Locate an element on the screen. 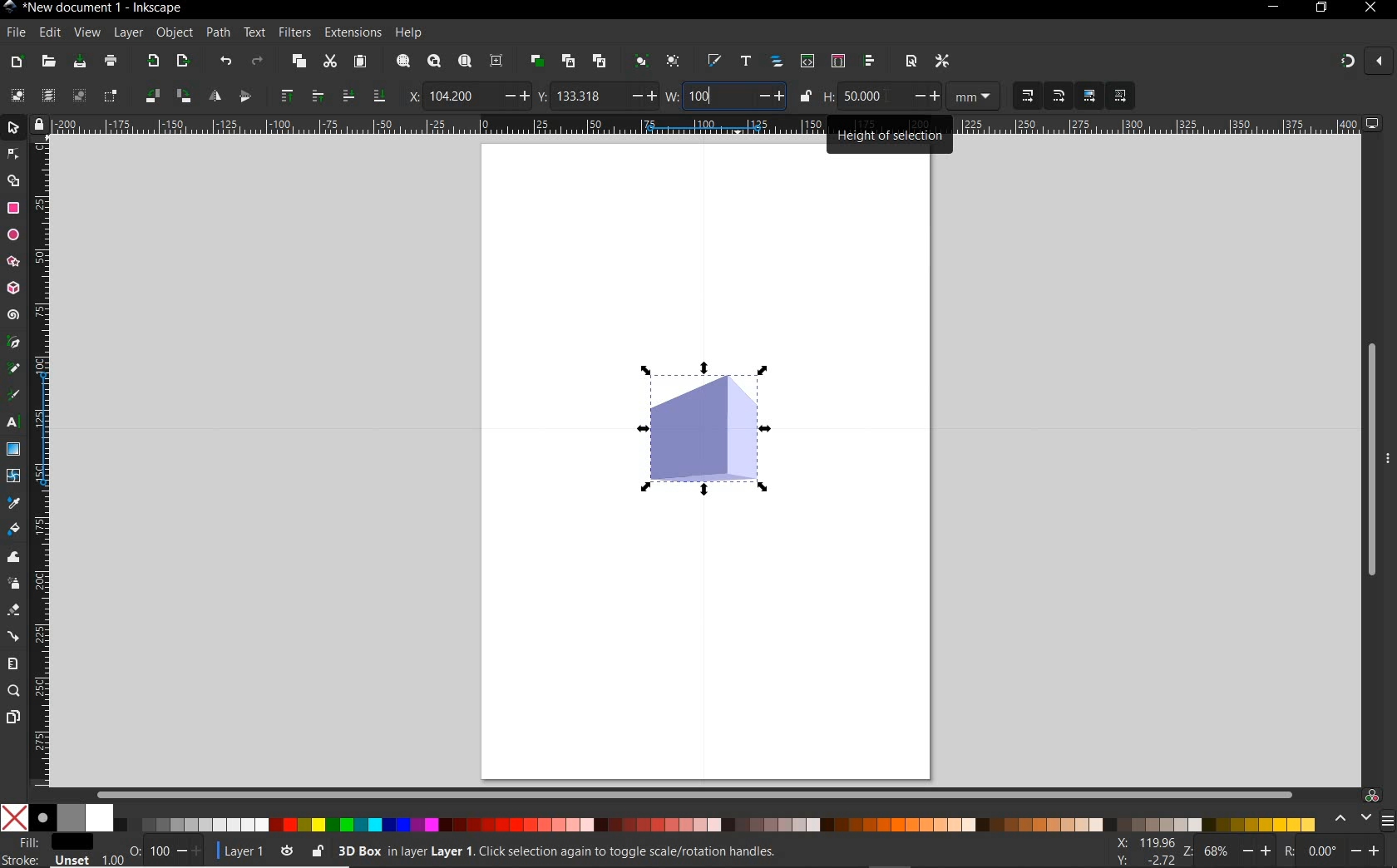 The height and width of the screenshot is (868, 1397). create clone is located at coordinates (567, 61).